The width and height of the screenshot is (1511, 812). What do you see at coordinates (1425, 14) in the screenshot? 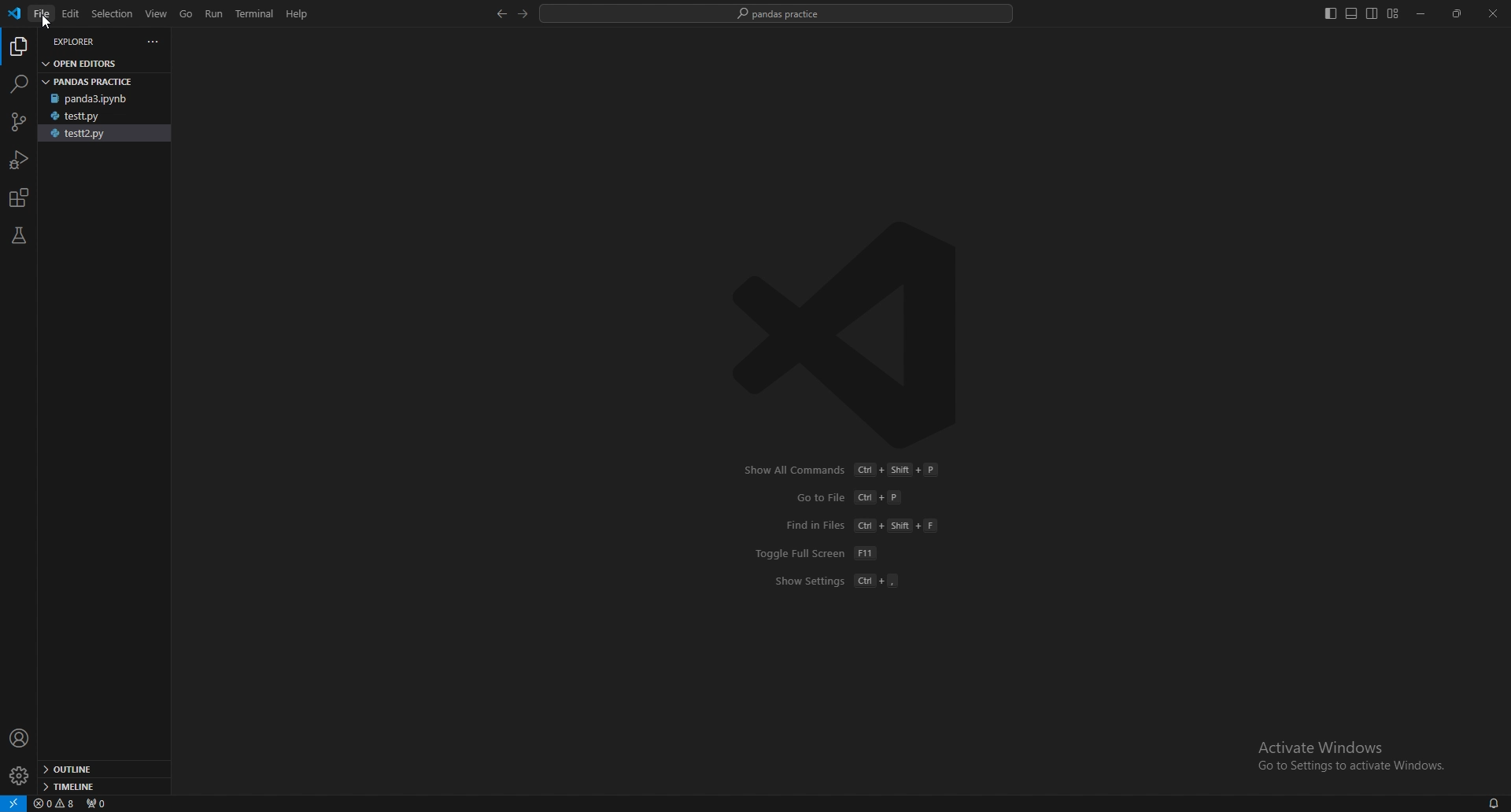
I see `minimize` at bounding box center [1425, 14].